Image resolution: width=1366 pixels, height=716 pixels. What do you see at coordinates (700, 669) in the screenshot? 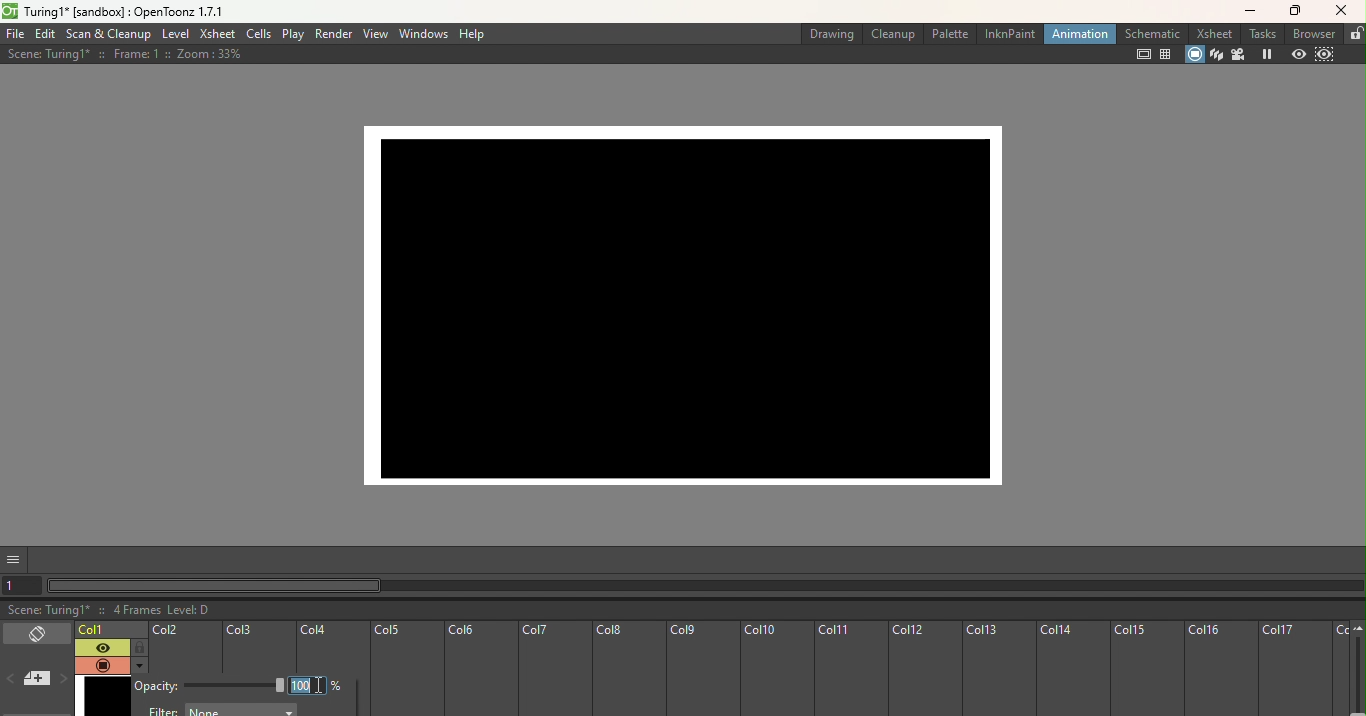
I see `Col9` at bounding box center [700, 669].